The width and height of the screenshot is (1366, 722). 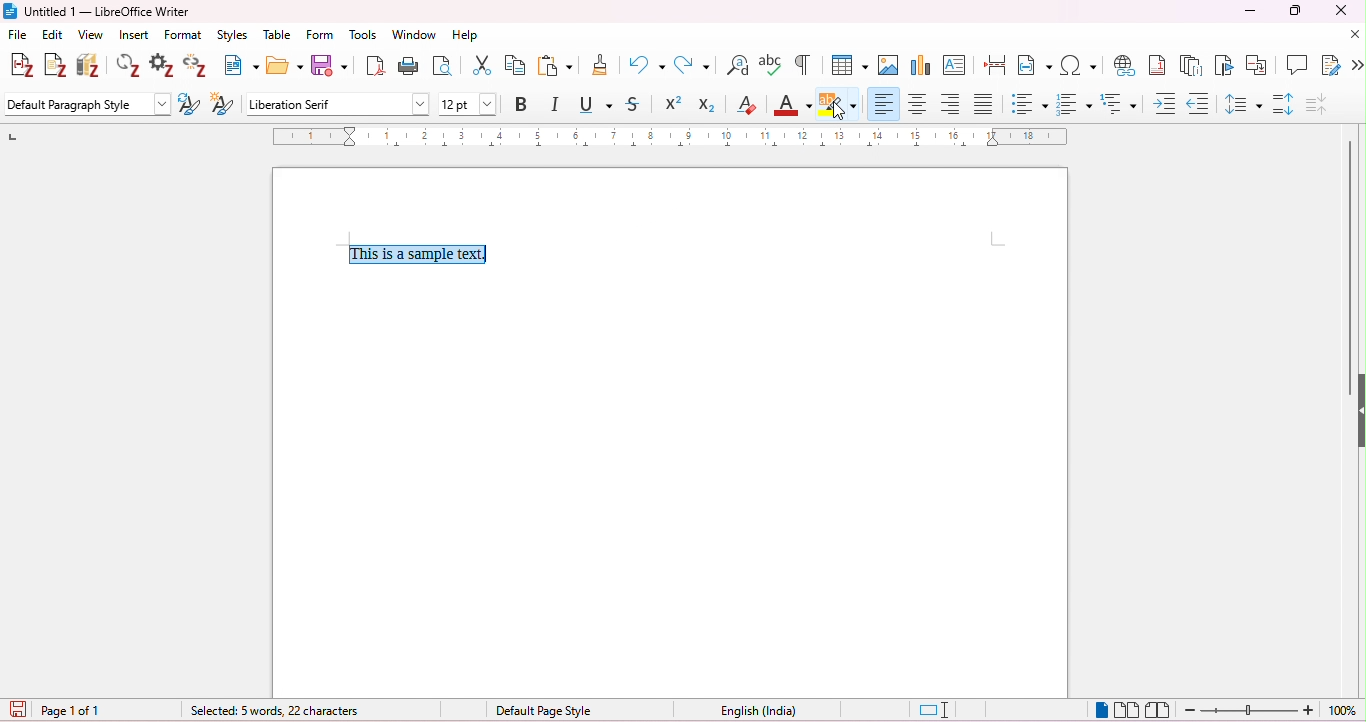 I want to click on close, so click(x=1354, y=34).